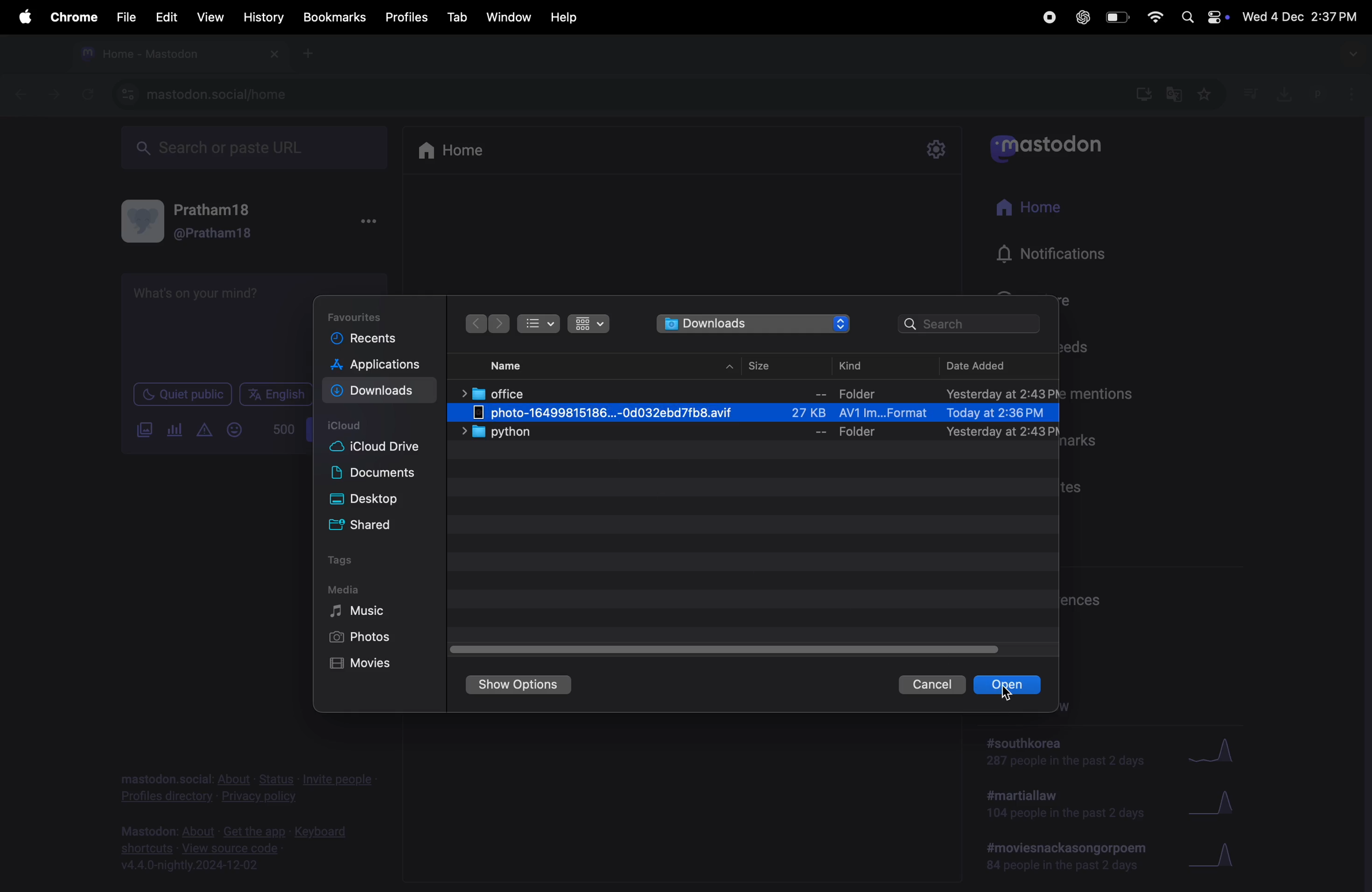 The height and width of the screenshot is (892, 1372). What do you see at coordinates (361, 611) in the screenshot?
I see `music` at bounding box center [361, 611].